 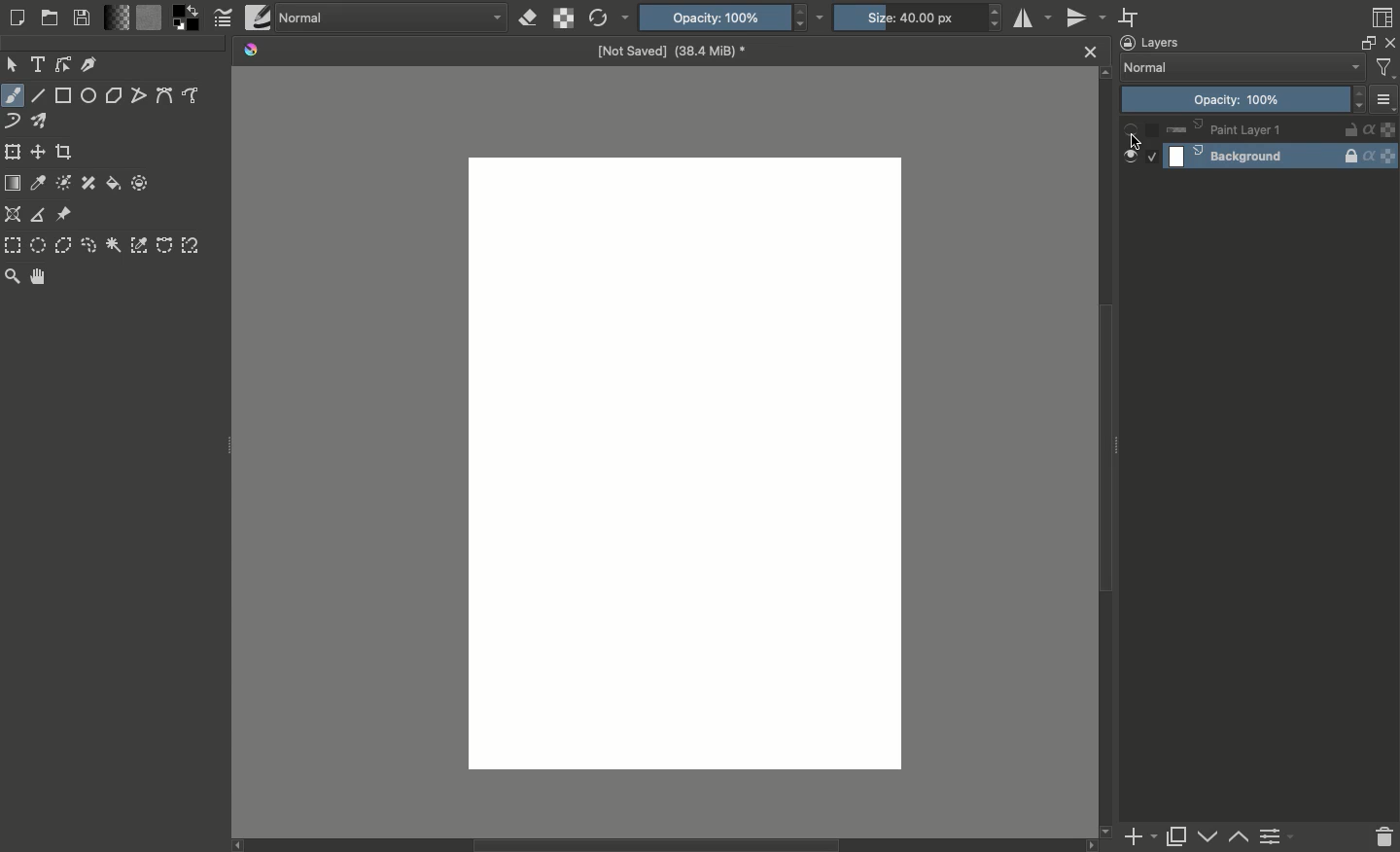 I want to click on Hidden, so click(x=1134, y=130).